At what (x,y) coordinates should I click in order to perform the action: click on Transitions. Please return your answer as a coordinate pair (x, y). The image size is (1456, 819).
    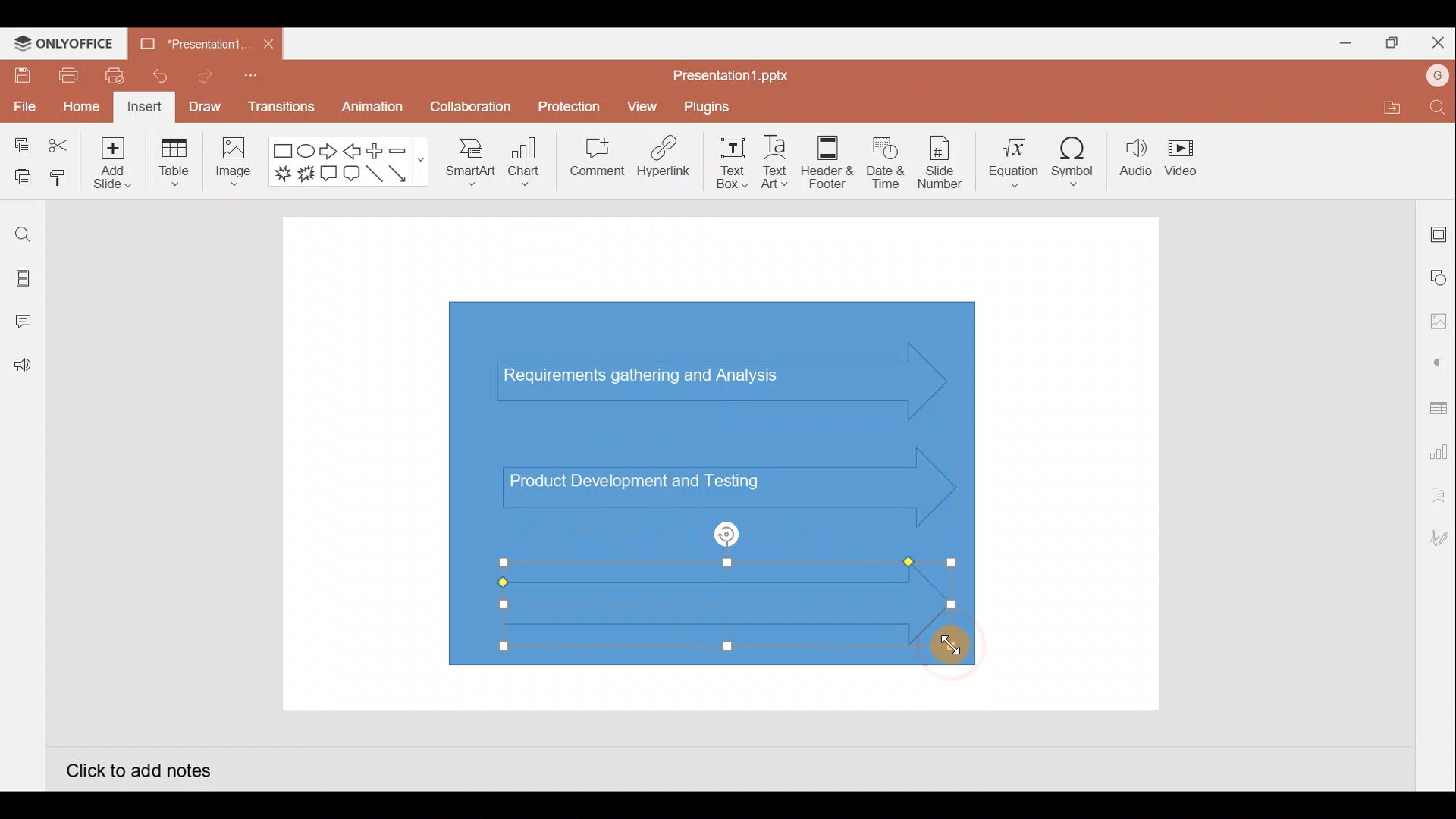
    Looking at the image, I should click on (282, 111).